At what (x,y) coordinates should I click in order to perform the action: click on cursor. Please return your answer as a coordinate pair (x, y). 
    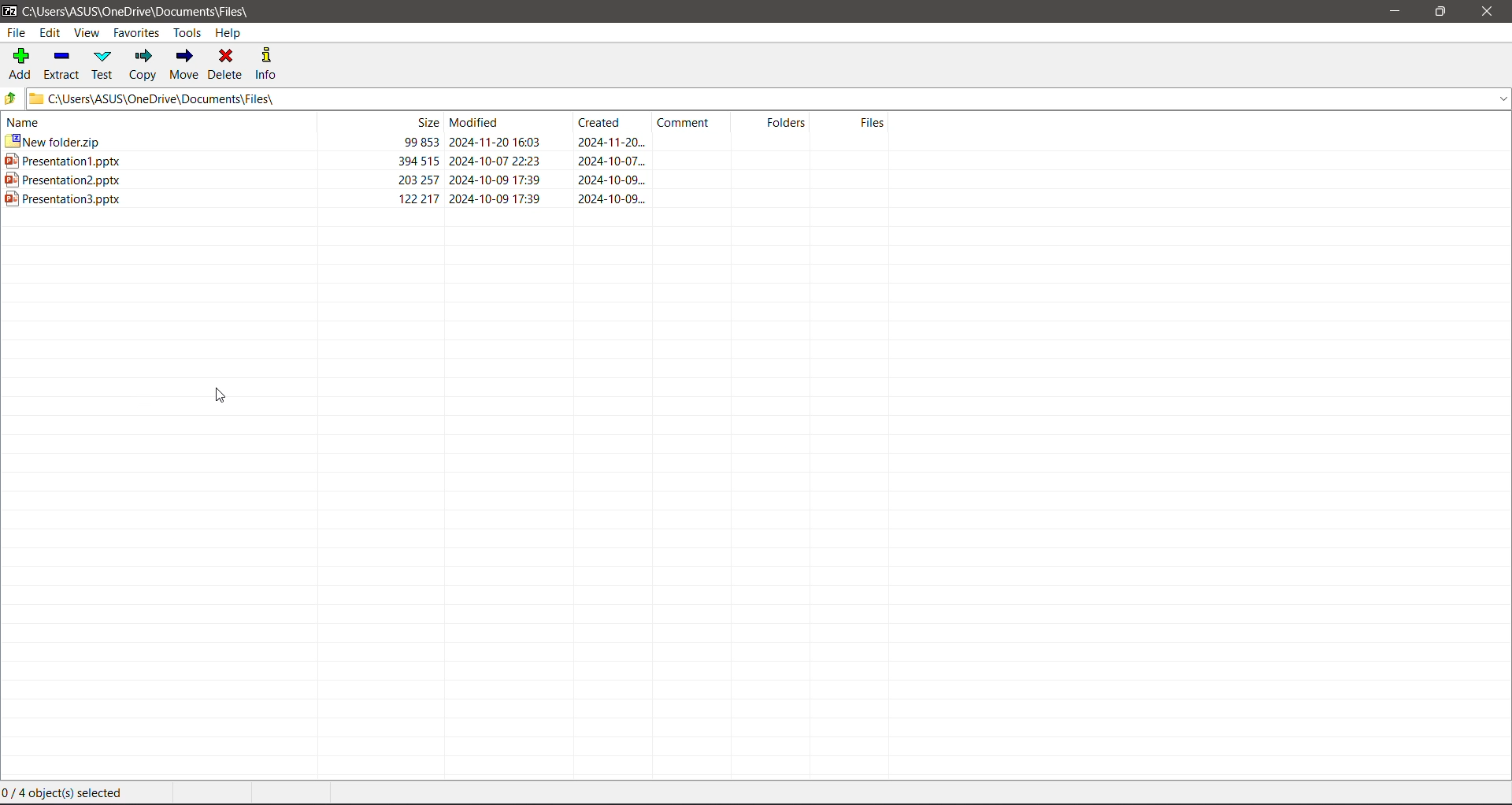
    Looking at the image, I should click on (219, 394).